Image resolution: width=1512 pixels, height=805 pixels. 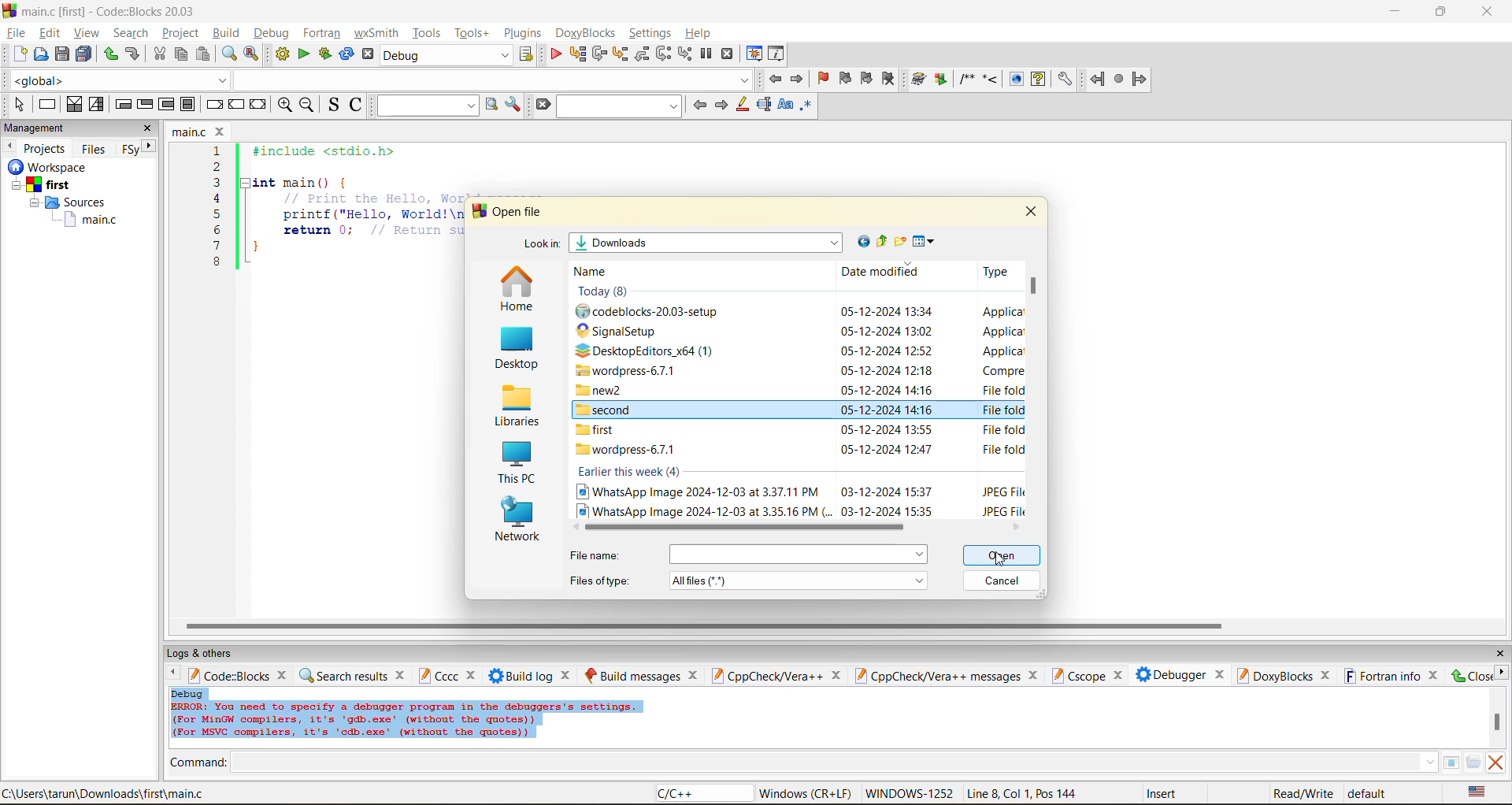 What do you see at coordinates (180, 32) in the screenshot?
I see `project` at bounding box center [180, 32].